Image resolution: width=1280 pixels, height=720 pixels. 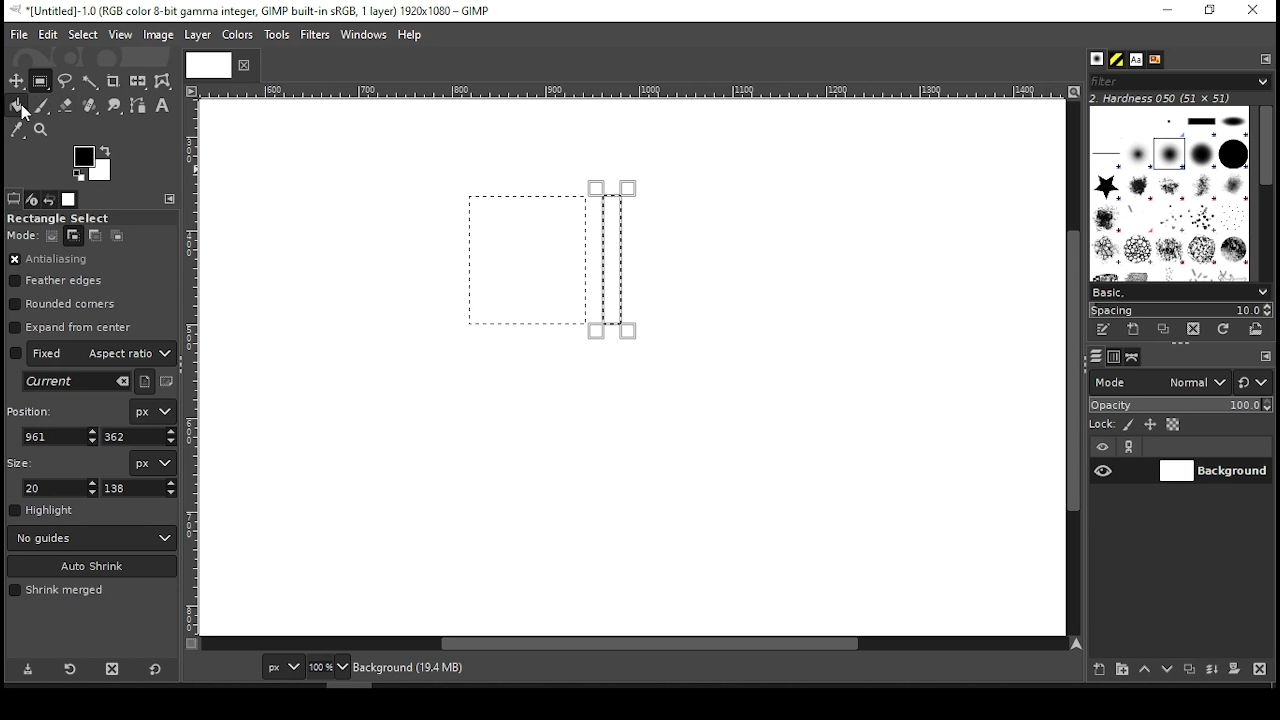 I want to click on color, so click(x=238, y=34).